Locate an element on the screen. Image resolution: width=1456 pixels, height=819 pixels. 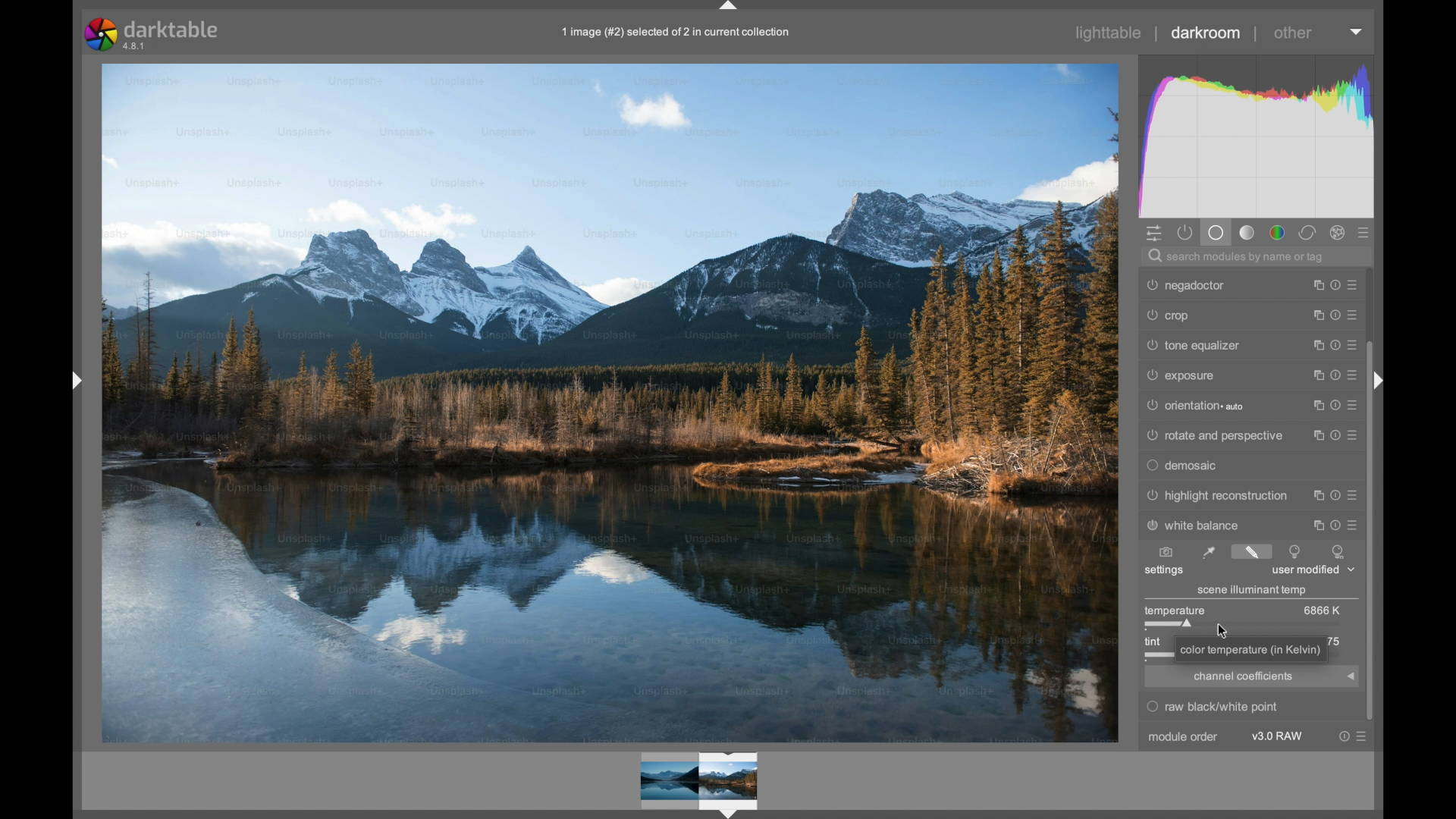
arrow is located at coordinates (1351, 677).